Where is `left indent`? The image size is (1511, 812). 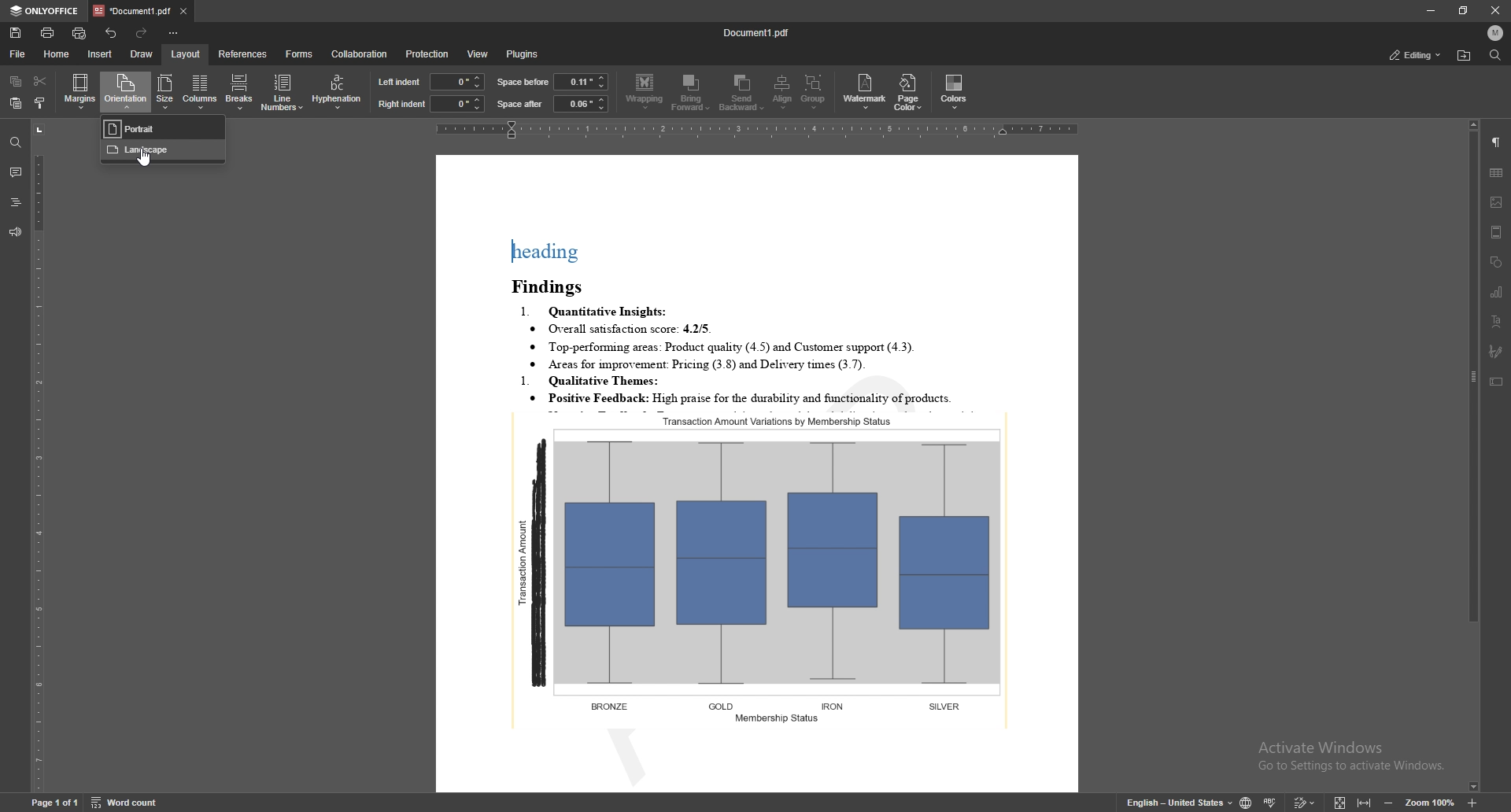 left indent is located at coordinates (400, 82).